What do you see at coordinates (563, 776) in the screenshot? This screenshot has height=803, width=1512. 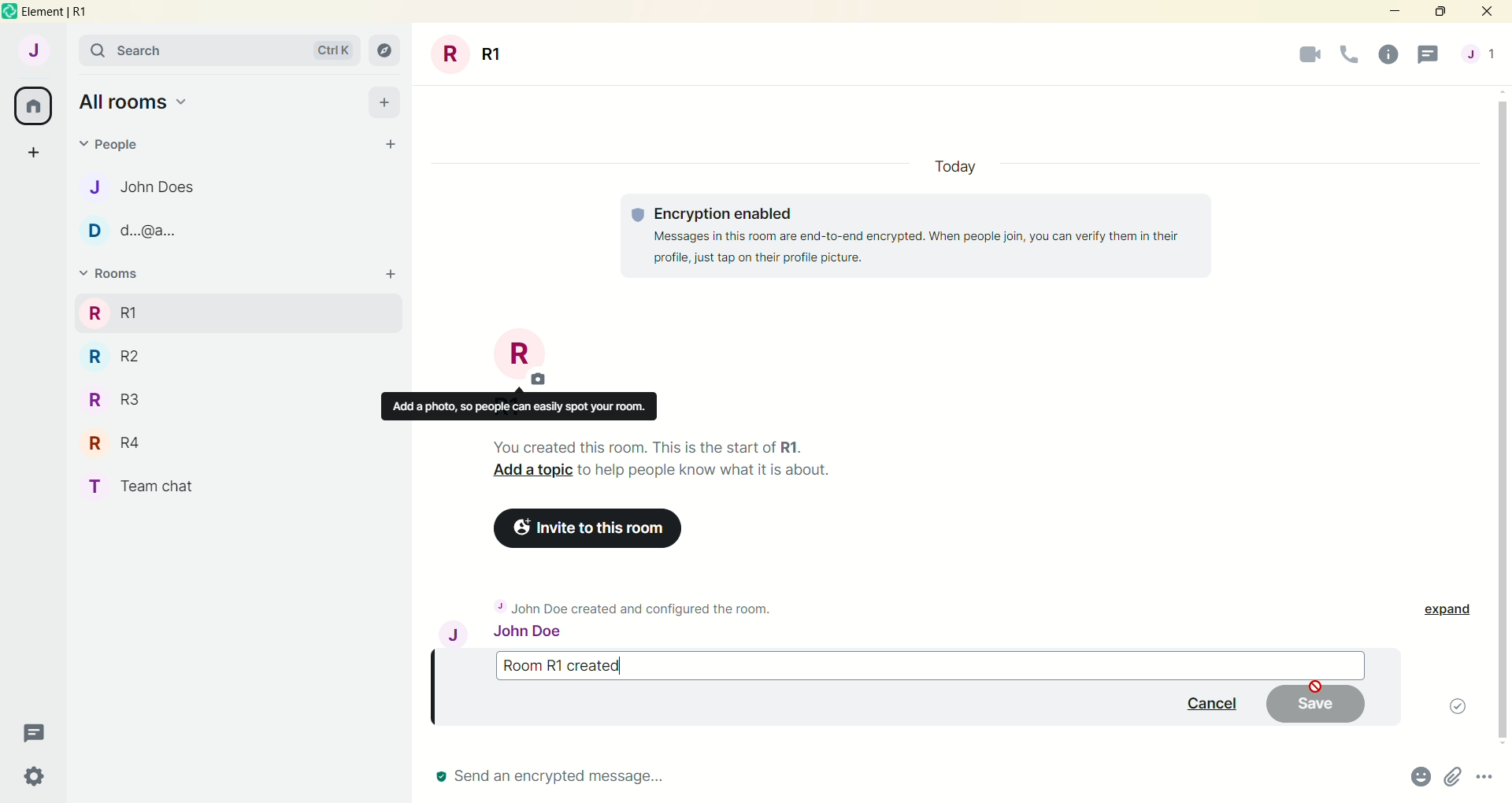 I see `send message` at bounding box center [563, 776].